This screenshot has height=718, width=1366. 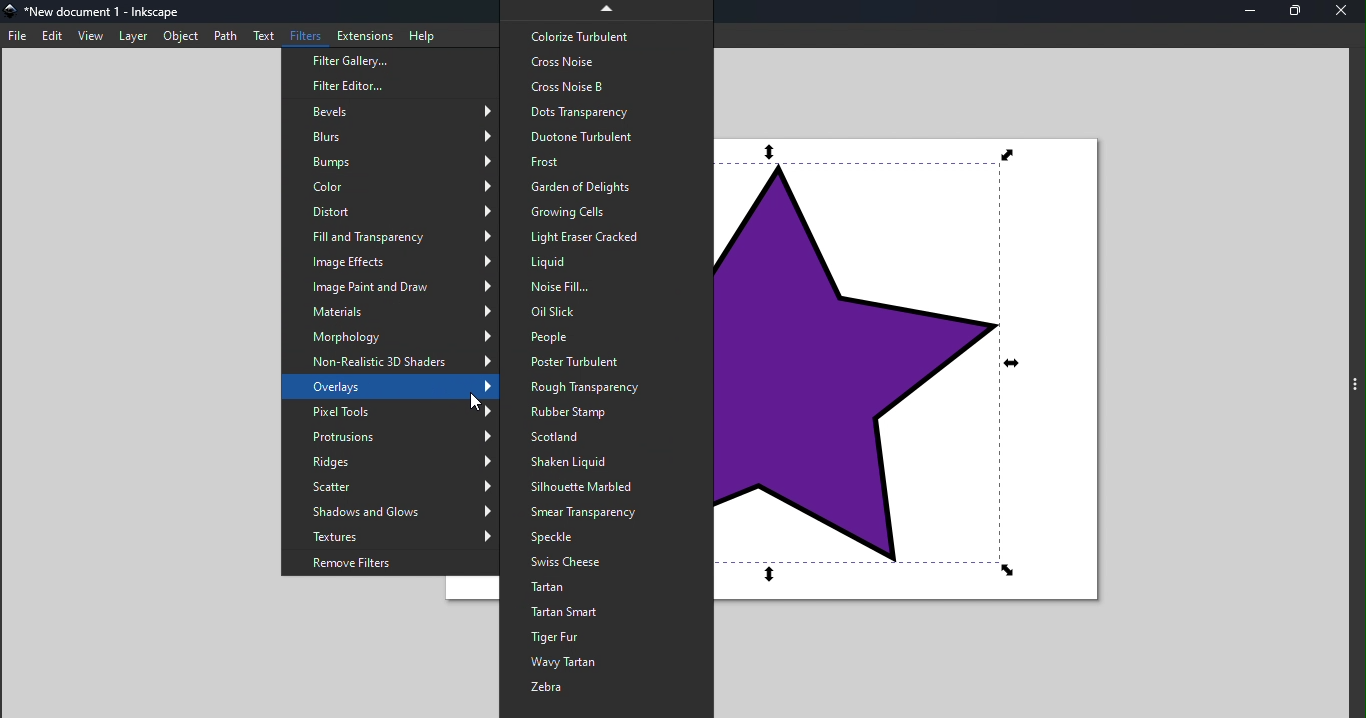 What do you see at coordinates (392, 362) in the screenshot?
I see `Non realistic 3D Shades` at bounding box center [392, 362].